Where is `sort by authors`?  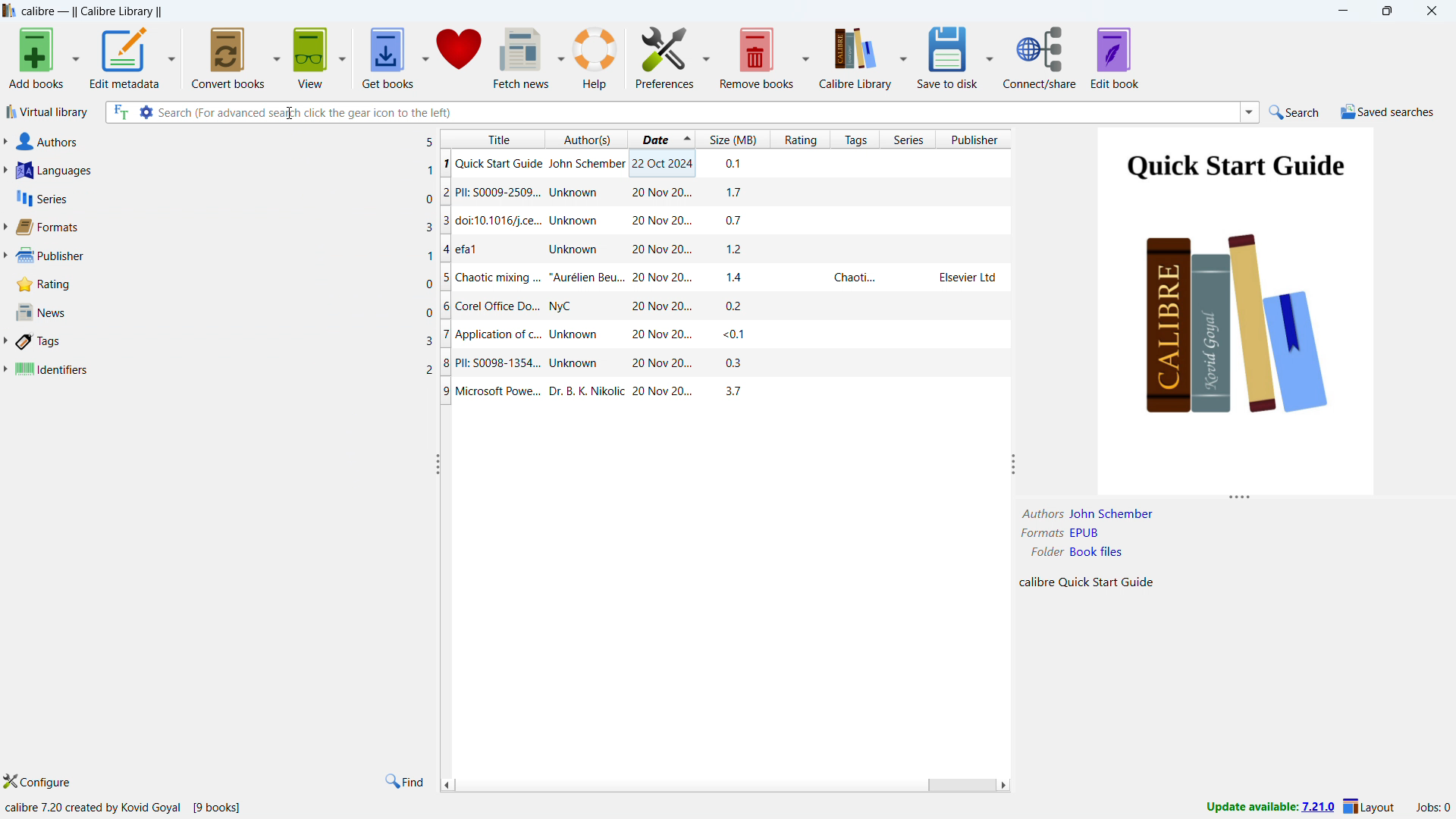
sort by authors is located at coordinates (588, 139).